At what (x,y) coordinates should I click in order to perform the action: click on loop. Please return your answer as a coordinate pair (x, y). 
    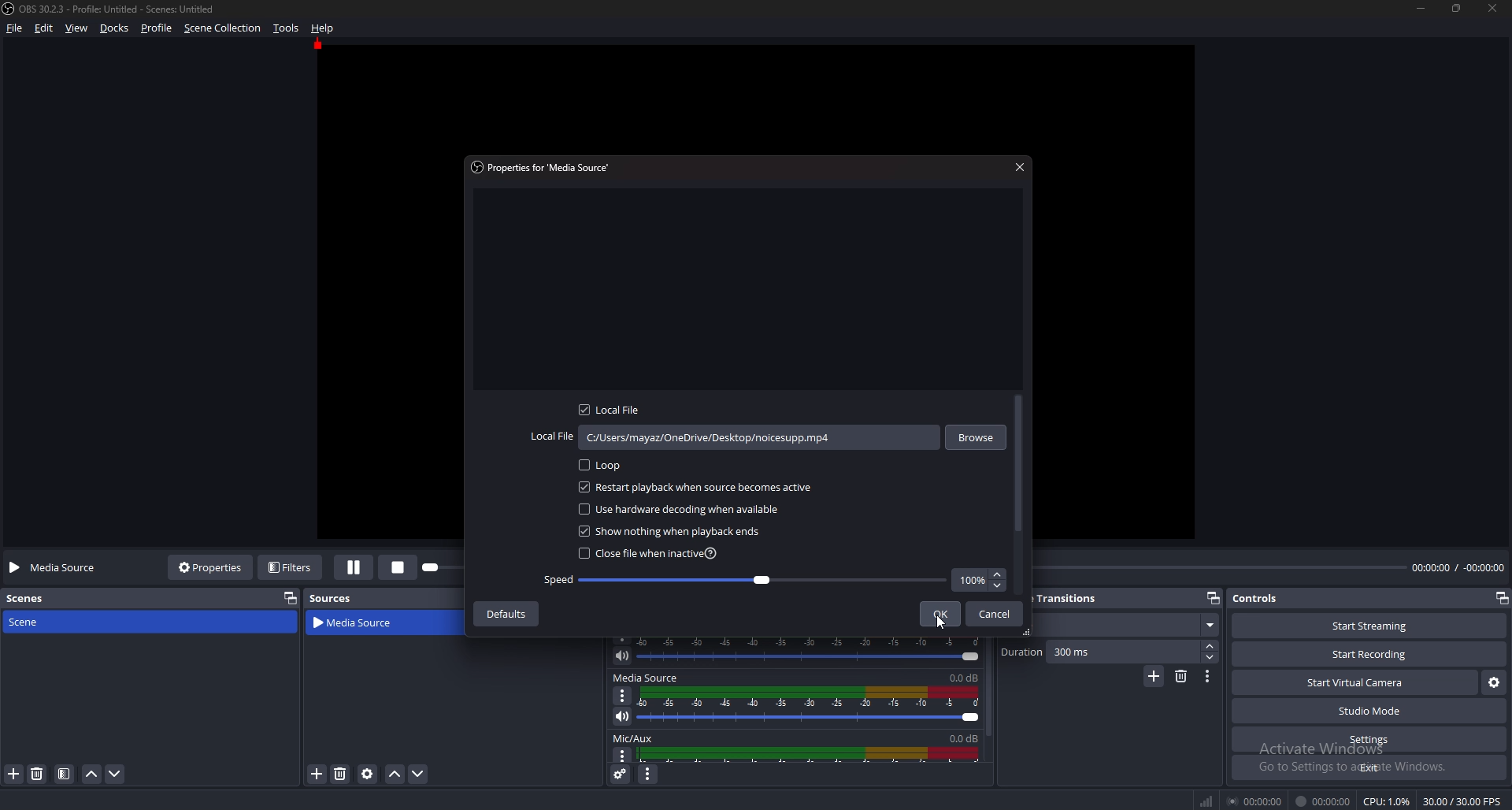
    Looking at the image, I should click on (606, 466).